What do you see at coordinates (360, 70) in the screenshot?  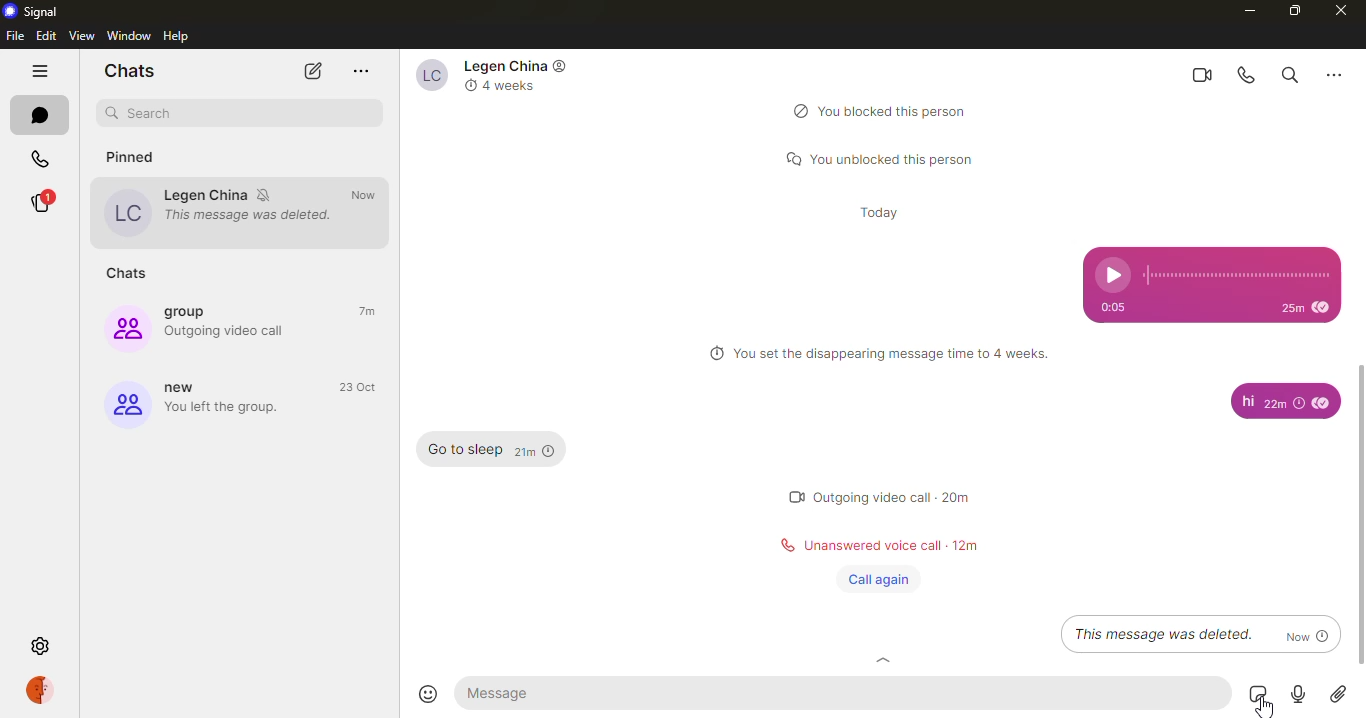 I see `more` at bounding box center [360, 70].